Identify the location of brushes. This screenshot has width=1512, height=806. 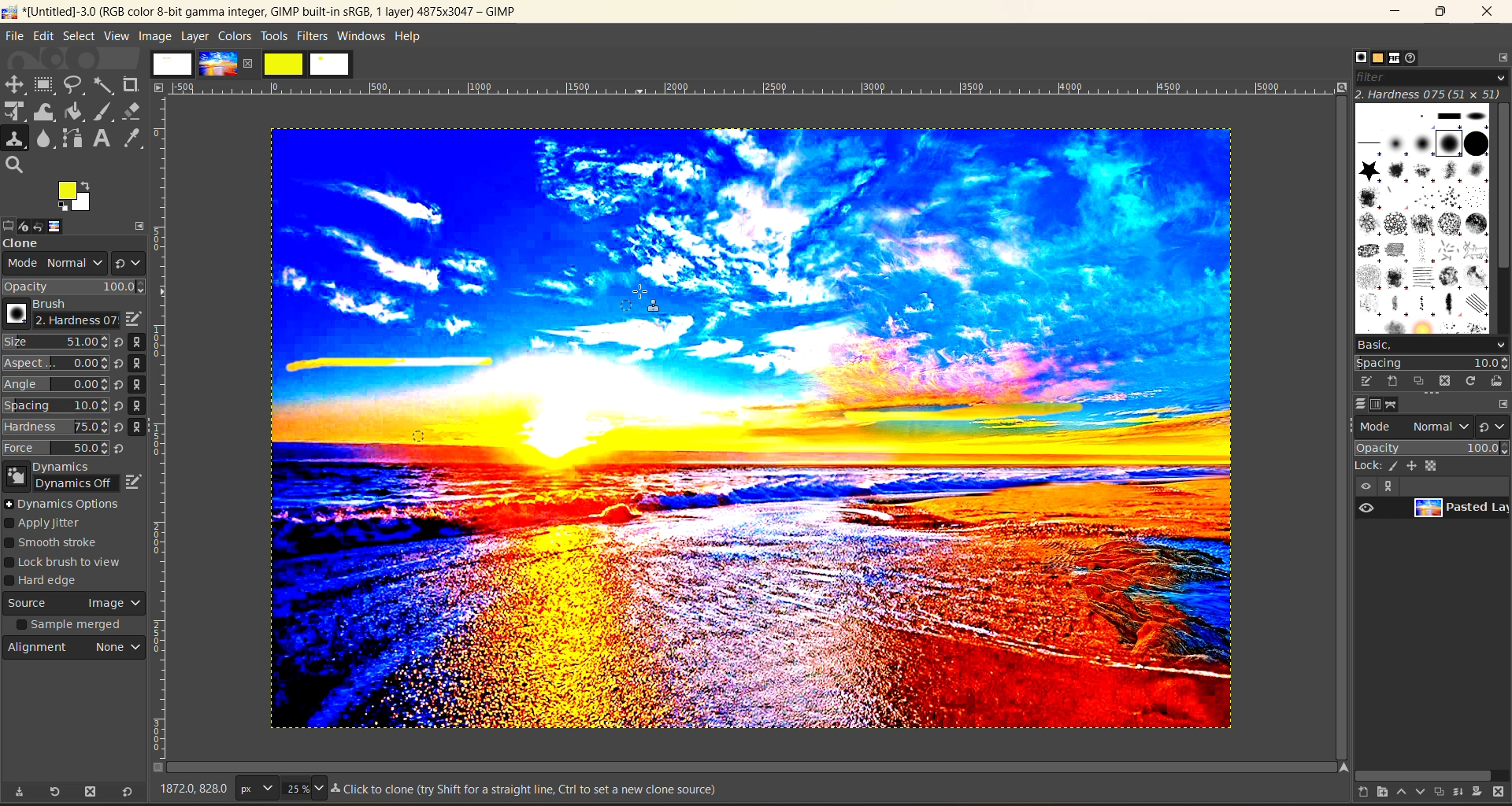
(1421, 217).